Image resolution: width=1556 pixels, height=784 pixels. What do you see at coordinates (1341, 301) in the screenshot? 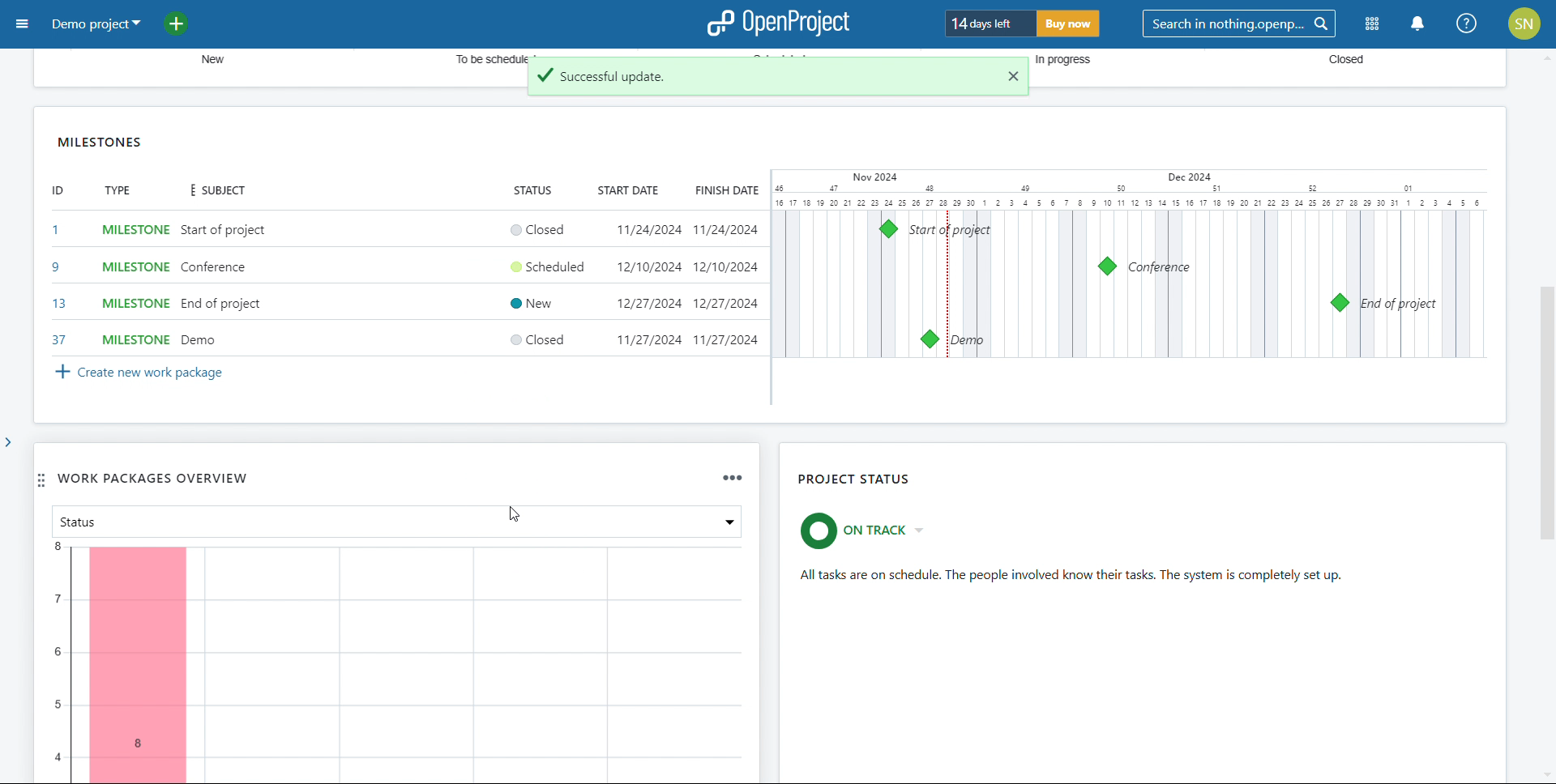
I see `milestone 13` at bounding box center [1341, 301].